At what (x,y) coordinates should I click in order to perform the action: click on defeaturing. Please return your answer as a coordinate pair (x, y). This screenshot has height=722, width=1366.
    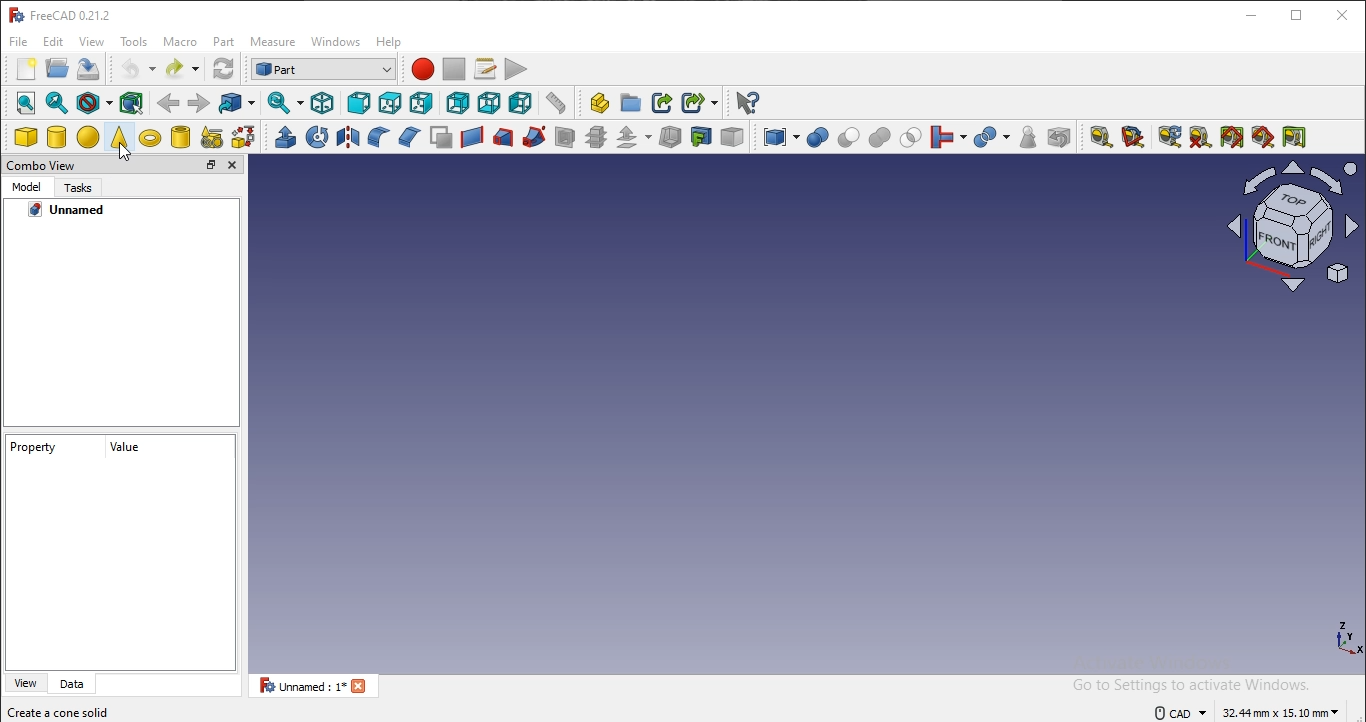
    Looking at the image, I should click on (1060, 136).